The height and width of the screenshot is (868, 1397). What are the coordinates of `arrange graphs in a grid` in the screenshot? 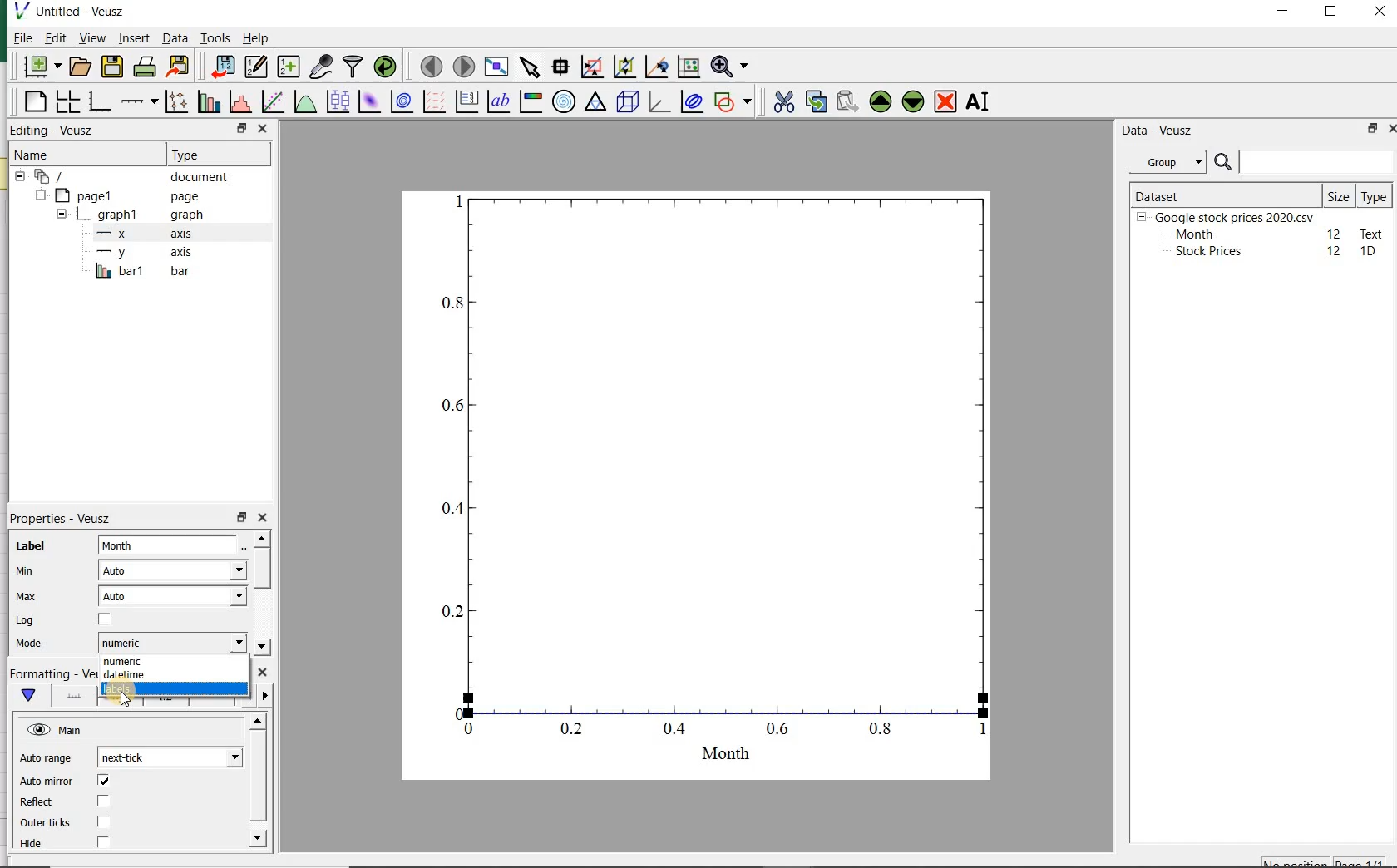 It's located at (66, 102).